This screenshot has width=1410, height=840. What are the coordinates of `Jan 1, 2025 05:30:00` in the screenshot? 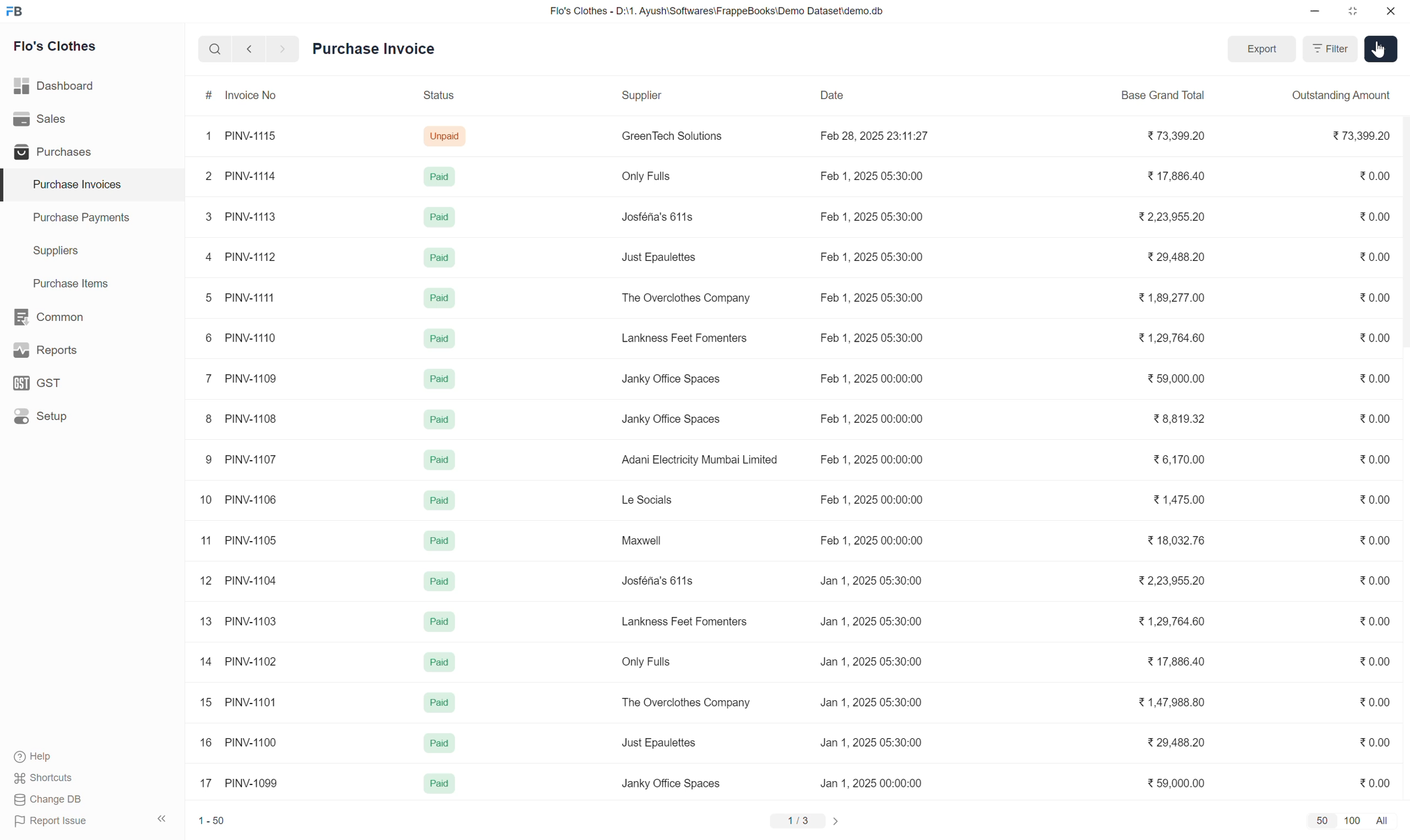 It's located at (876, 702).